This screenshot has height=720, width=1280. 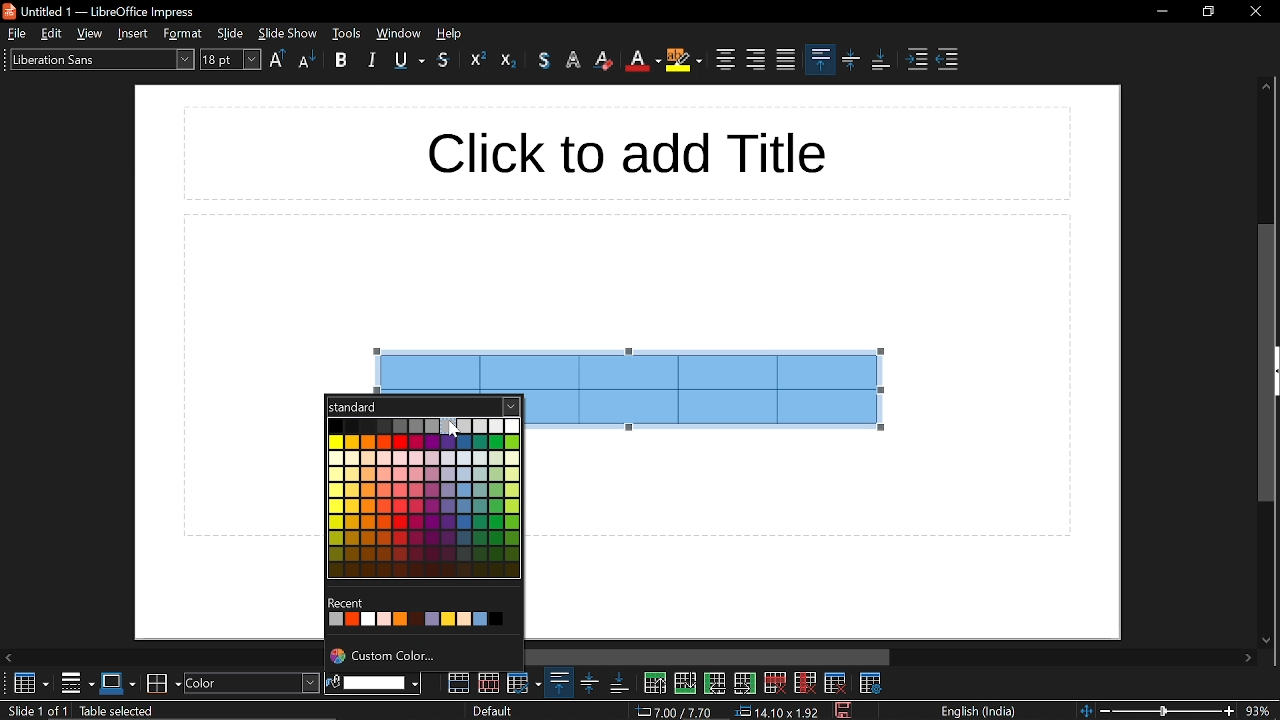 What do you see at coordinates (974, 710) in the screenshot?
I see `language` at bounding box center [974, 710].